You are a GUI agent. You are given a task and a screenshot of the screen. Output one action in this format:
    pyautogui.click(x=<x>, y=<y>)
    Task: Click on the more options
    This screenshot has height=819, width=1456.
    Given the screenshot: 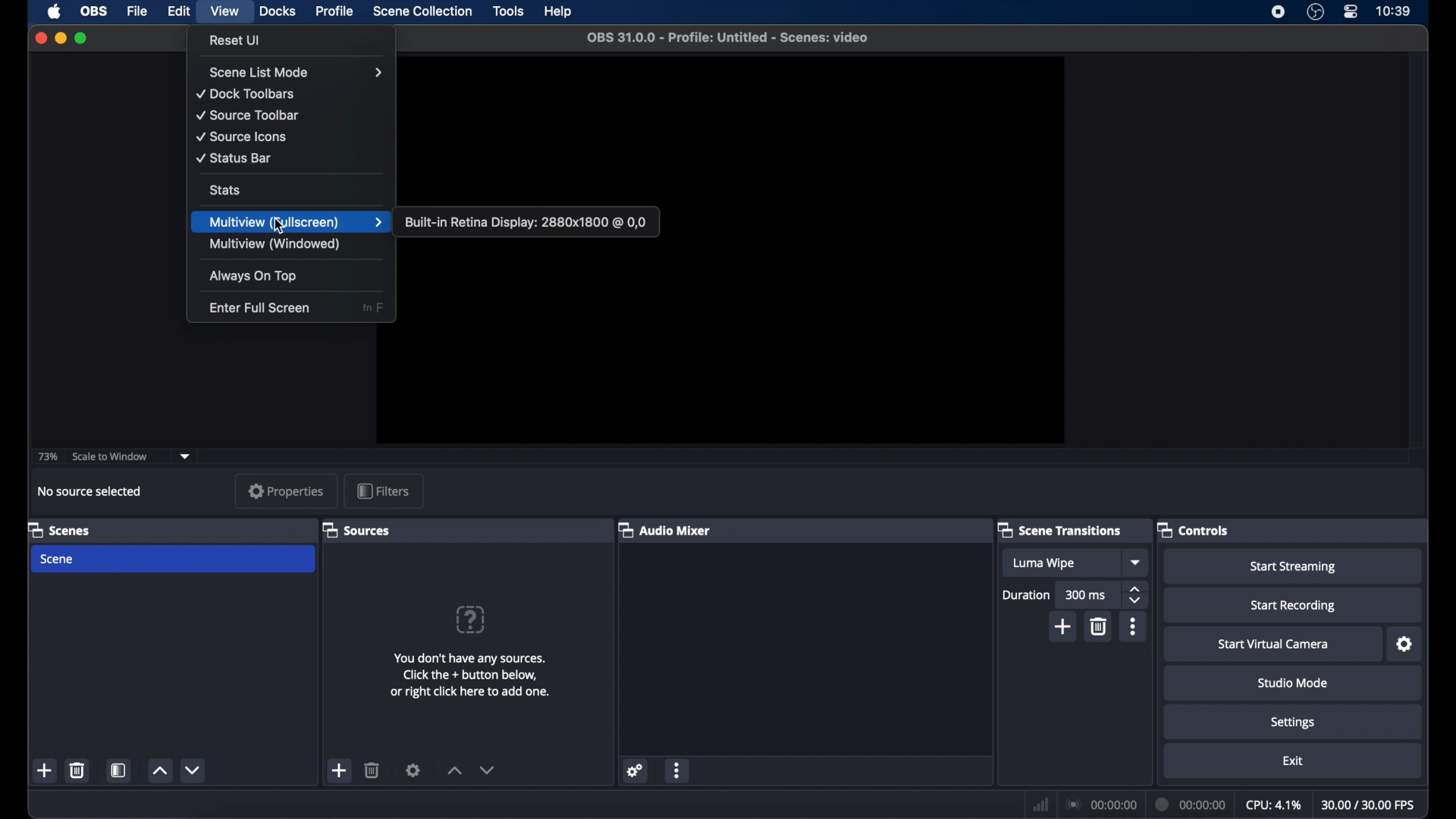 What is the action you would take?
    pyautogui.click(x=1133, y=626)
    